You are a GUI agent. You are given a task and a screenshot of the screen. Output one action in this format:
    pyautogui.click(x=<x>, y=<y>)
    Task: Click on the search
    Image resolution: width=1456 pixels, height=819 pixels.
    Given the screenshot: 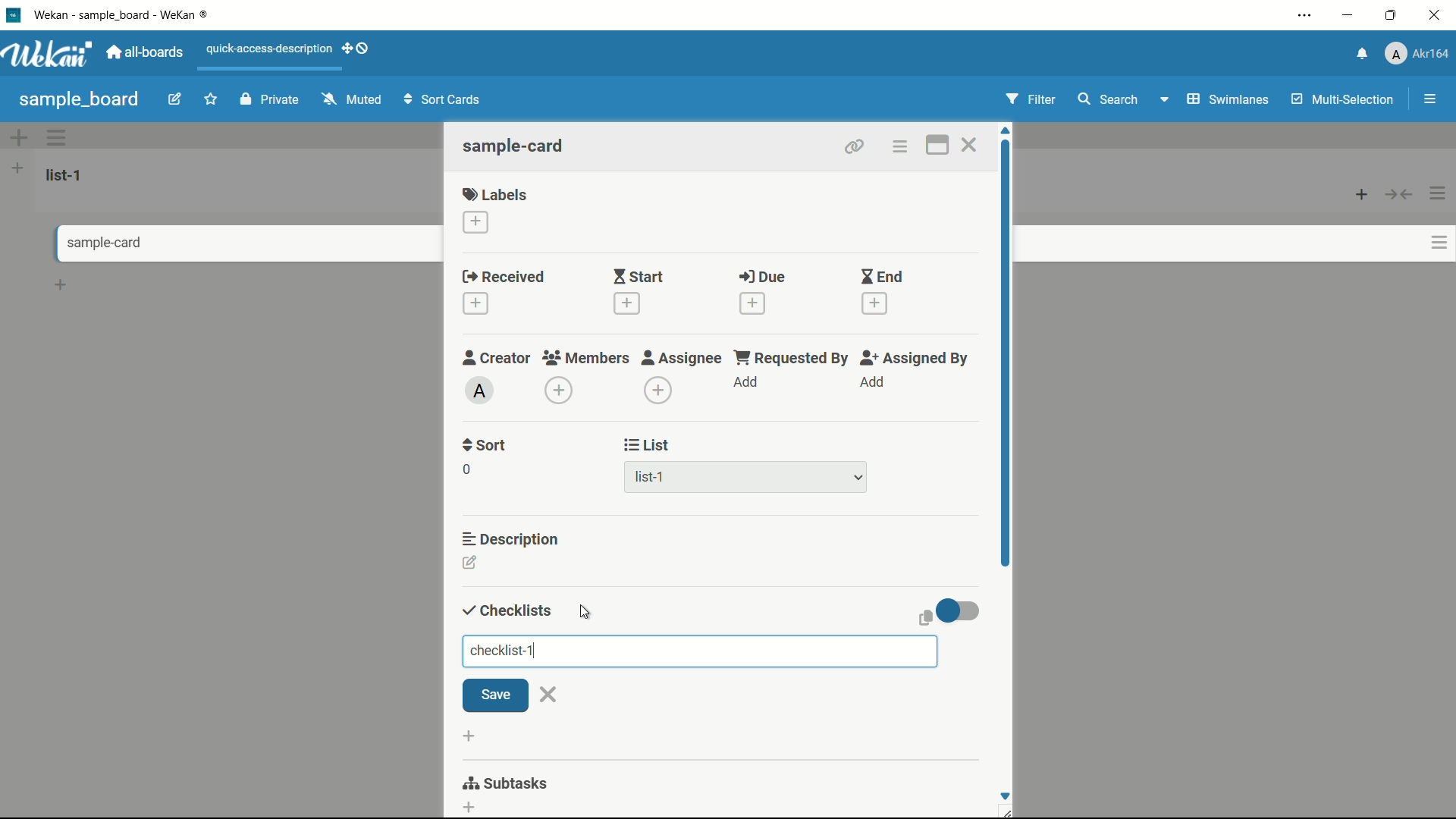 What is the action you would take?
    pyautogui.click(x=1106, y=99)
    